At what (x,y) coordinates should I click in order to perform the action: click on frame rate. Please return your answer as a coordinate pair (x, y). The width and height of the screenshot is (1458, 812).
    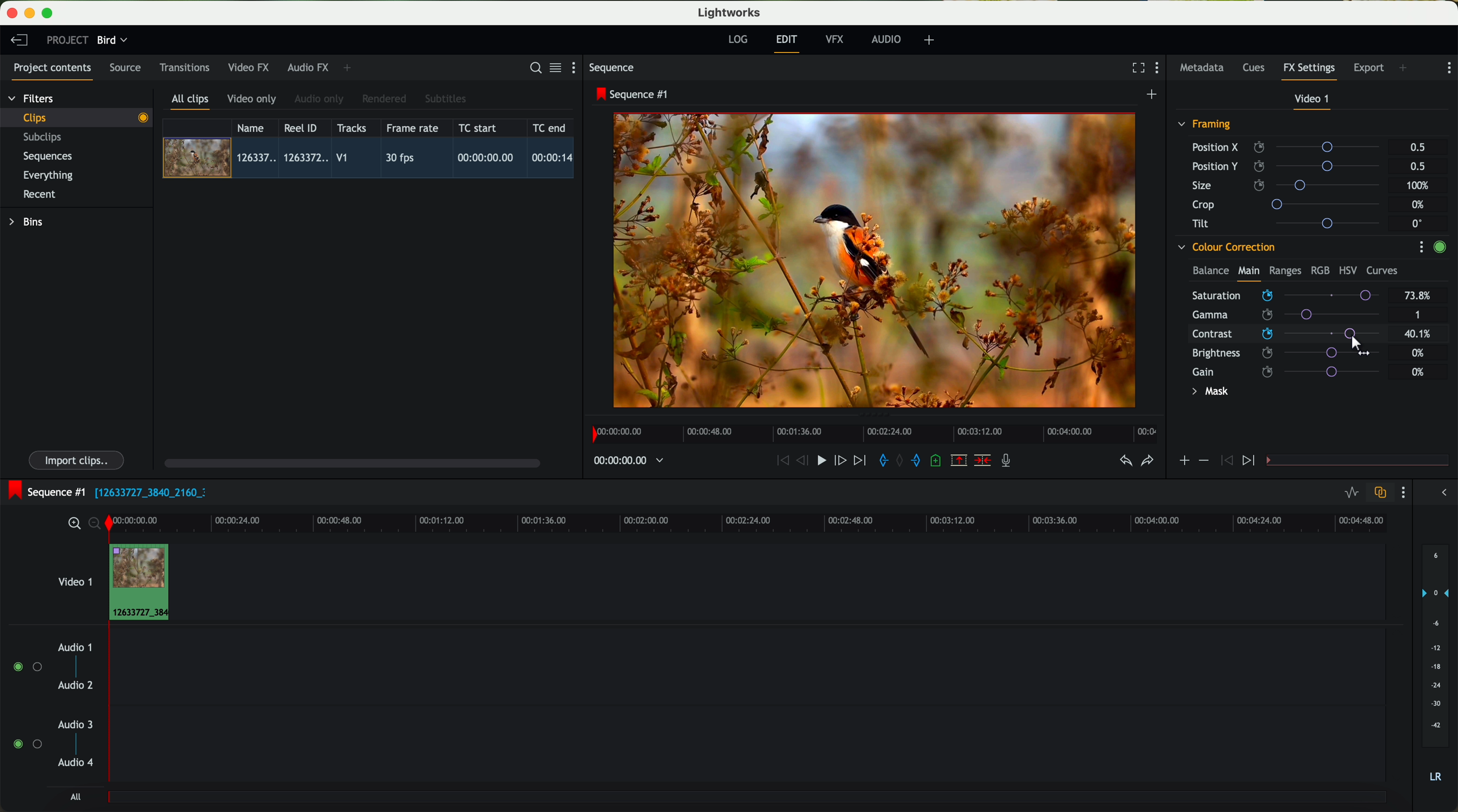
    Looking at the image, I should click on (413, 128).